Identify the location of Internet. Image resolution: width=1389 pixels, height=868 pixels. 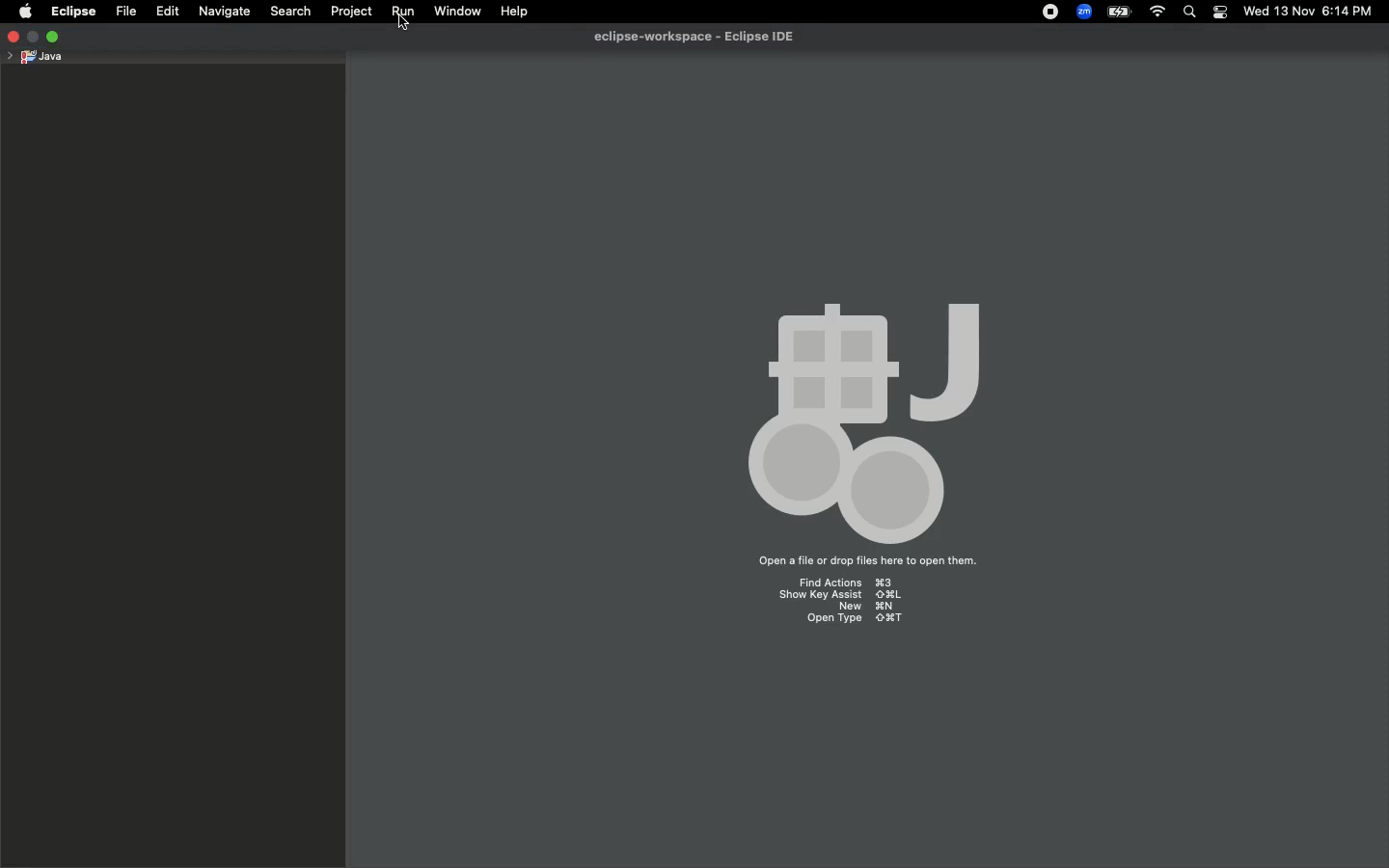
(1156, 14).